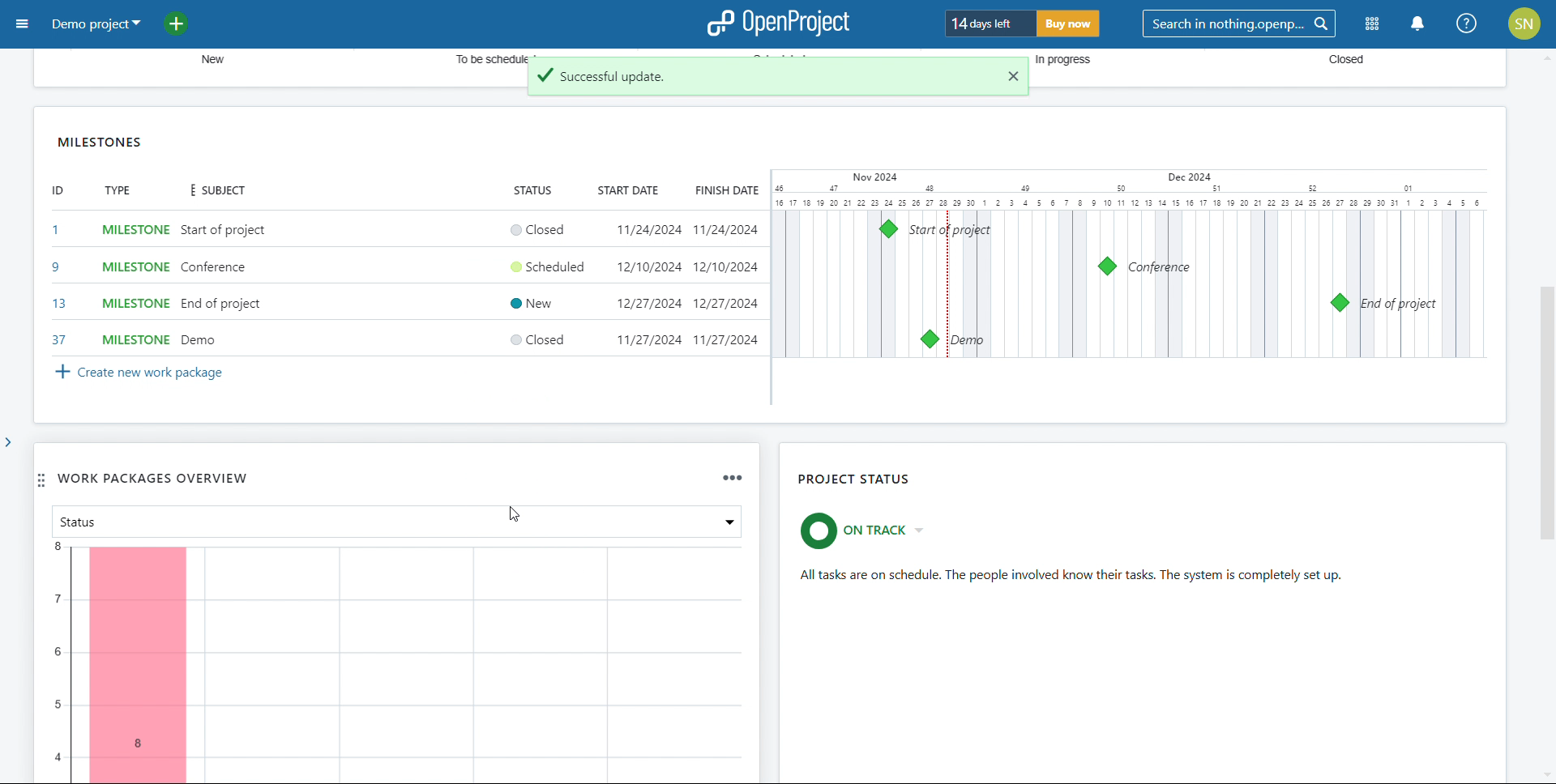  I want to click on update saved, so click(761, 82).